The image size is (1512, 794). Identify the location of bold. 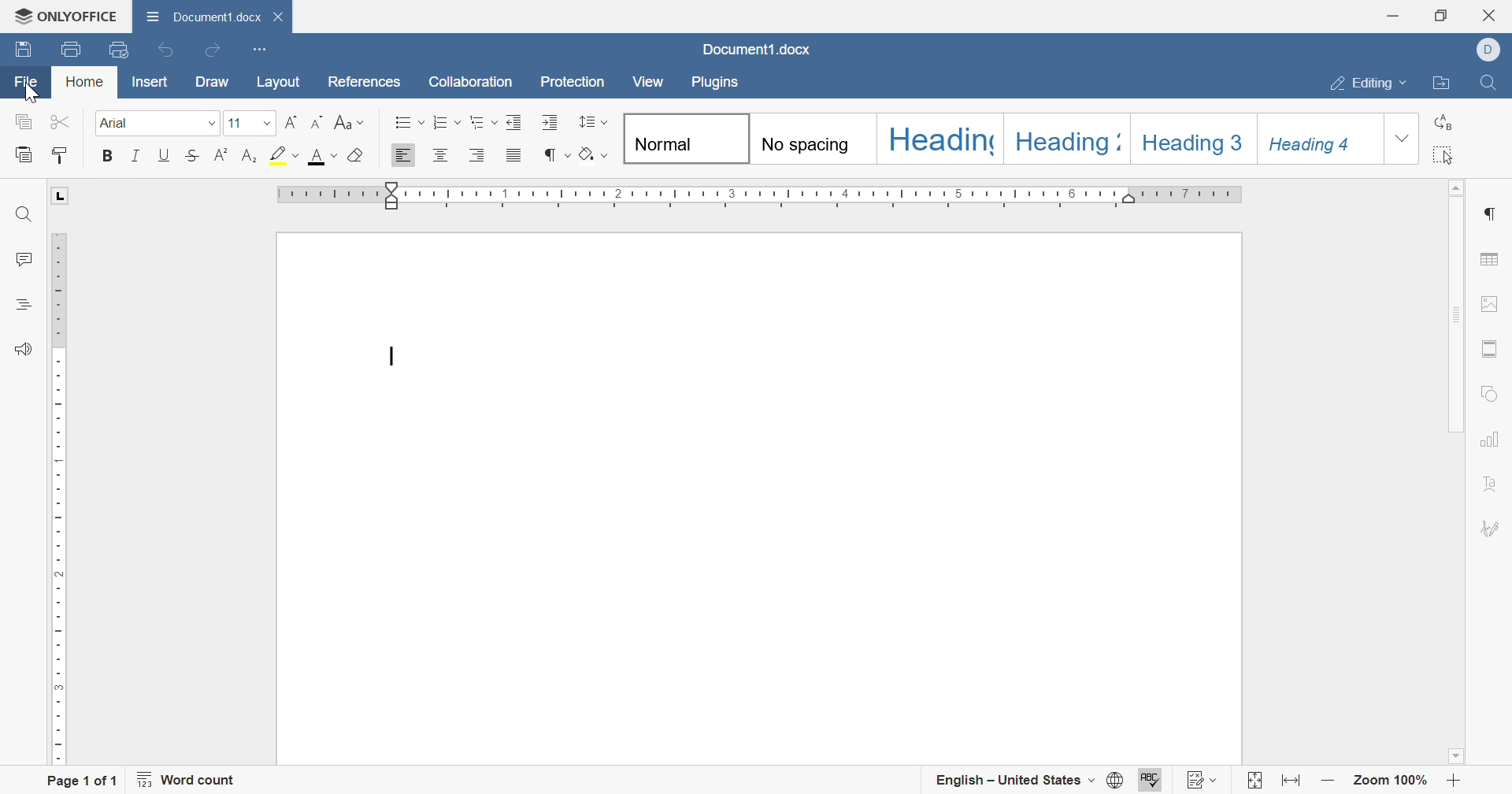
(113, 156).